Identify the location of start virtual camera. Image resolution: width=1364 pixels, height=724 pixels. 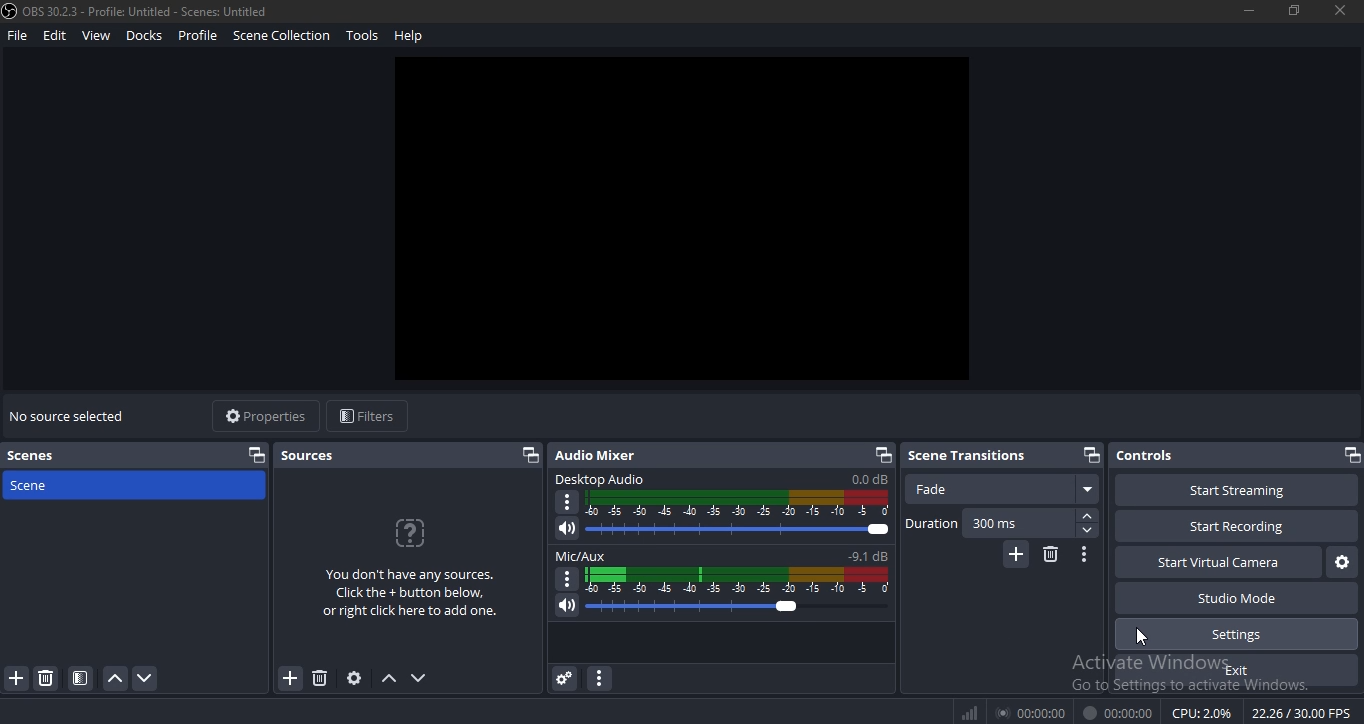
(1216, 563).